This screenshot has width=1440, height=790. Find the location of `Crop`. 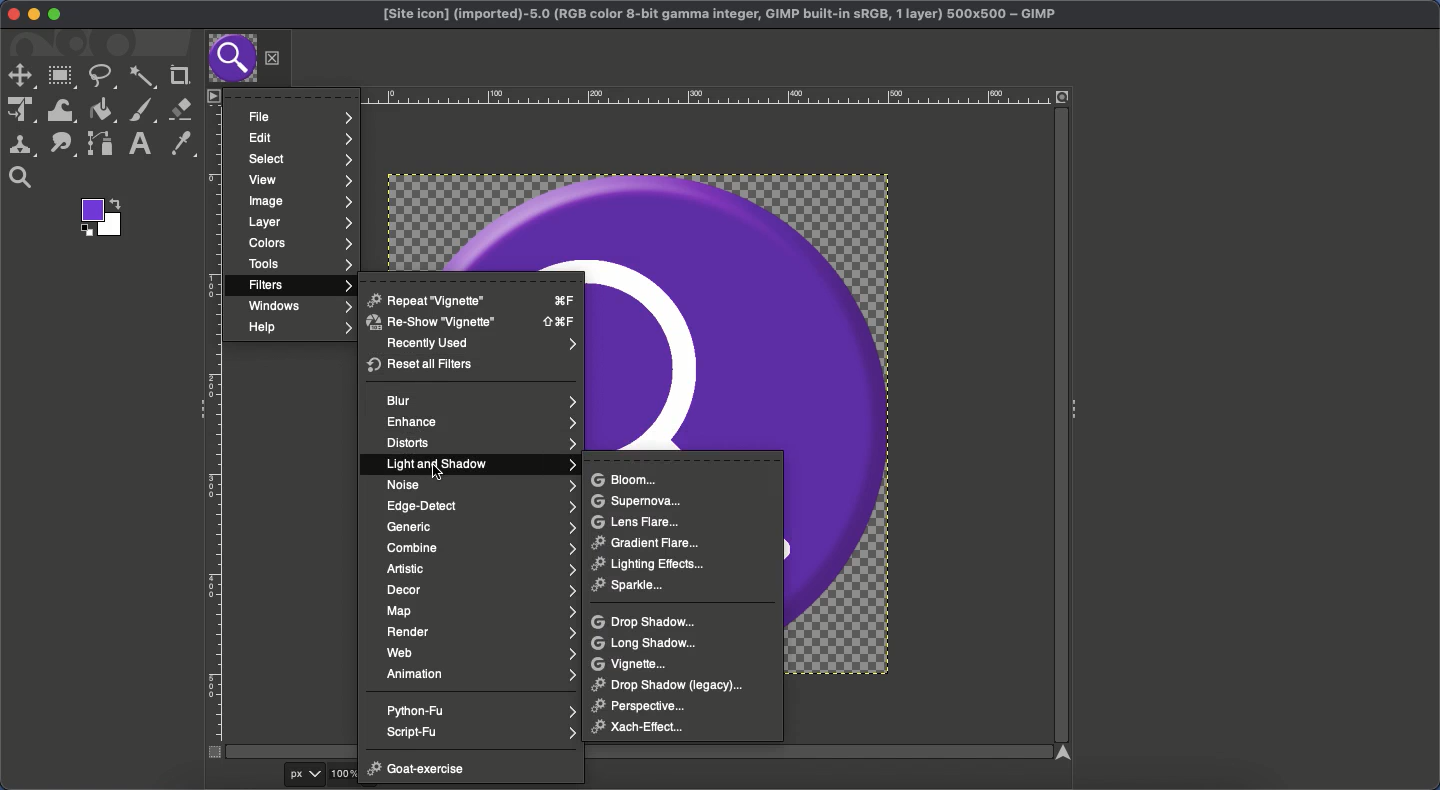

Crop is located at coordinates (177, 76).